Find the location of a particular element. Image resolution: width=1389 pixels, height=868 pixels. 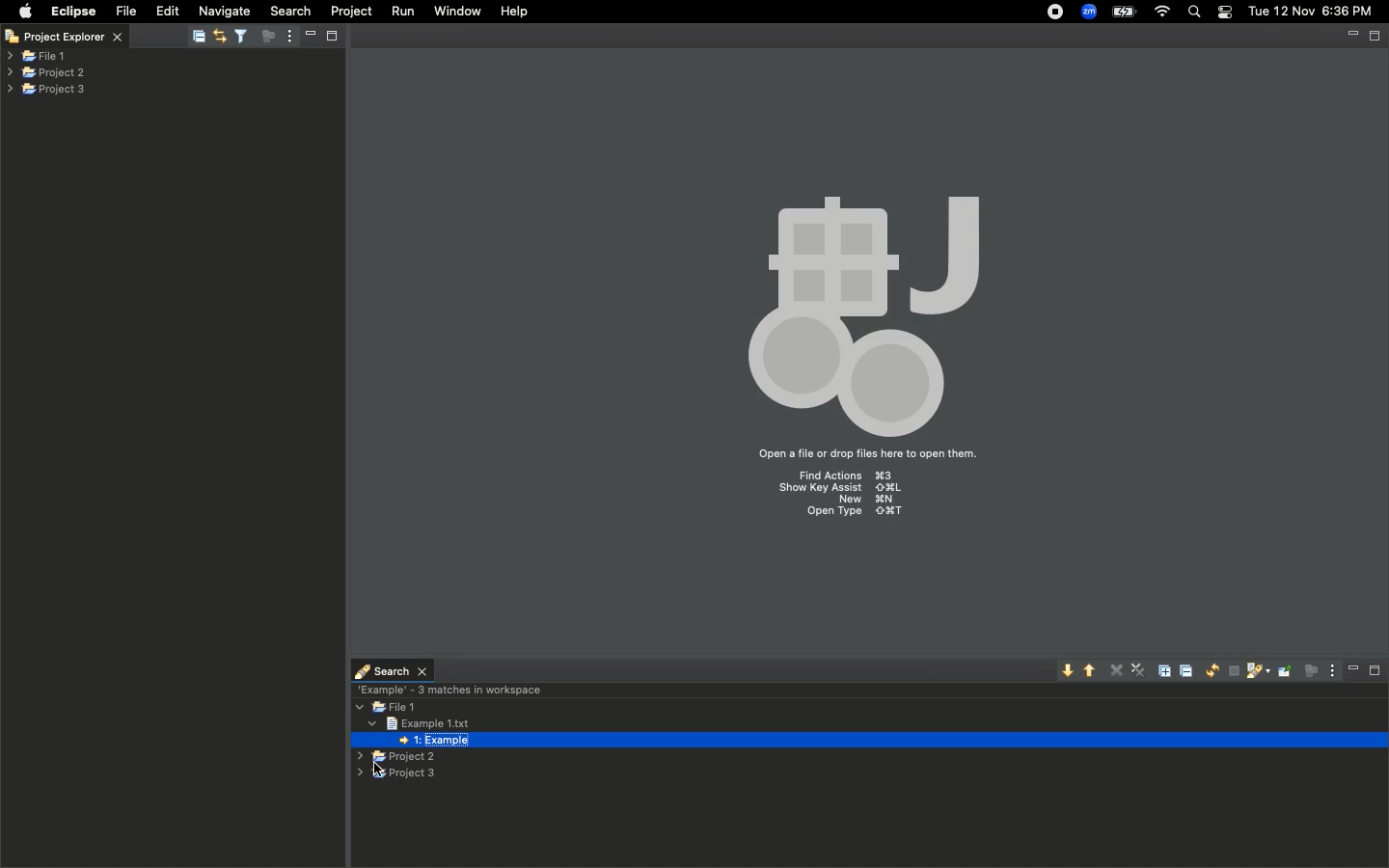

Icon is located at coordinates (858, 307).